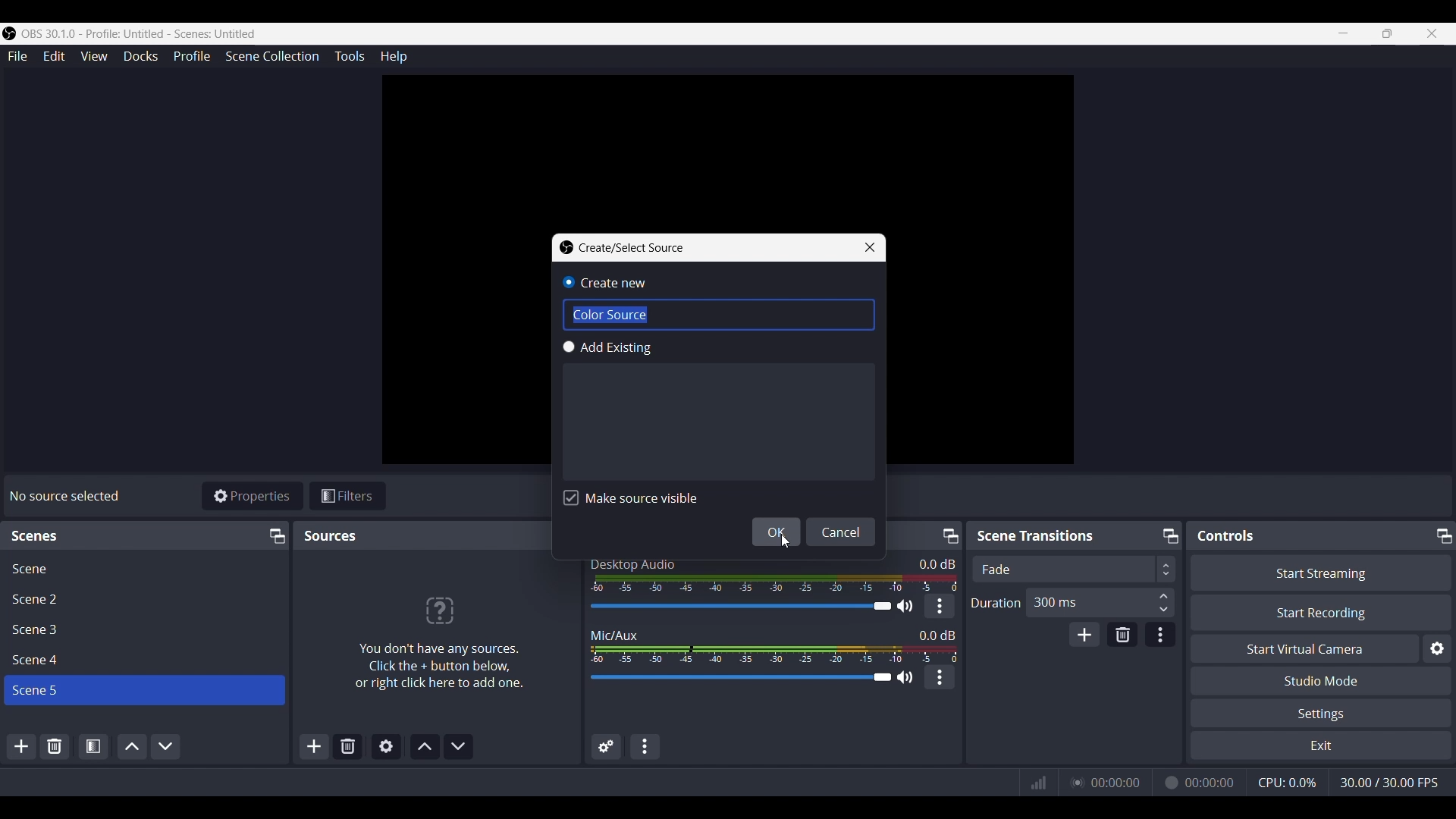 The width and height of the screenshot is (1456, 819). What do you see at coordinates (140, 56) in the screenshot?
I see `Docks` at bounding box center [140, 56].